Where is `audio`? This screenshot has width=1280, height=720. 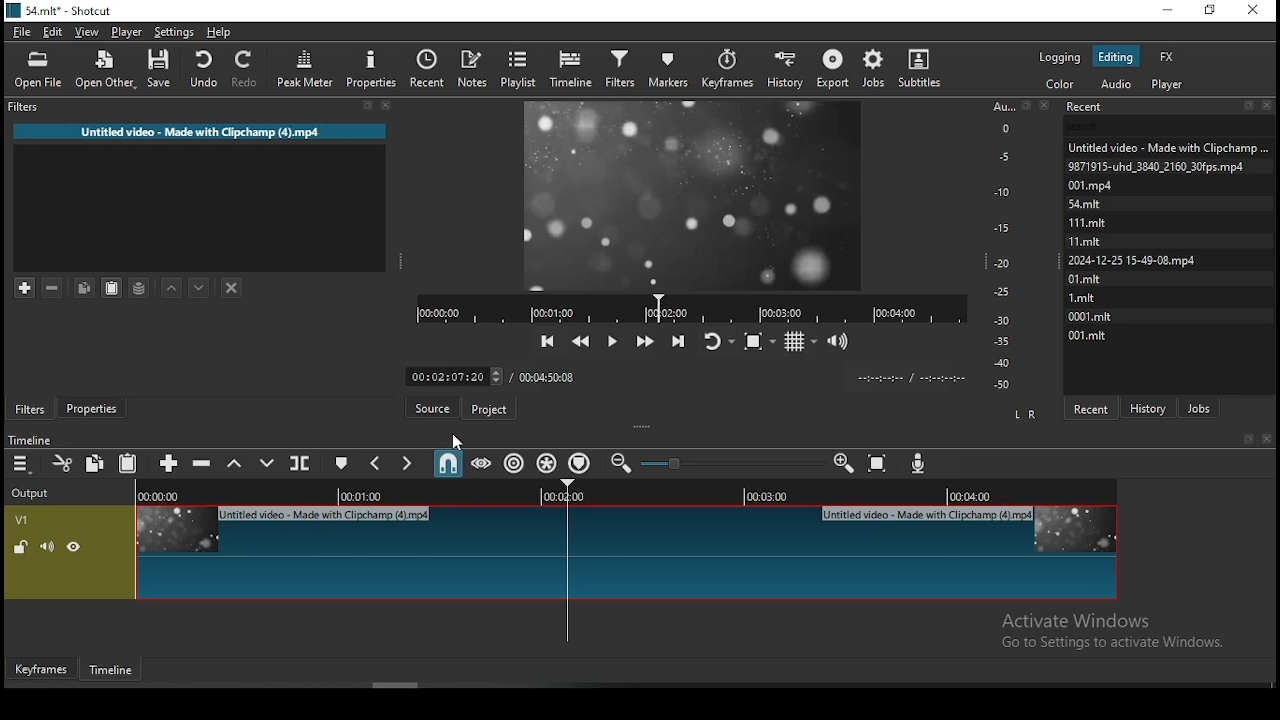
audio is located at coordinates (1119, 85).